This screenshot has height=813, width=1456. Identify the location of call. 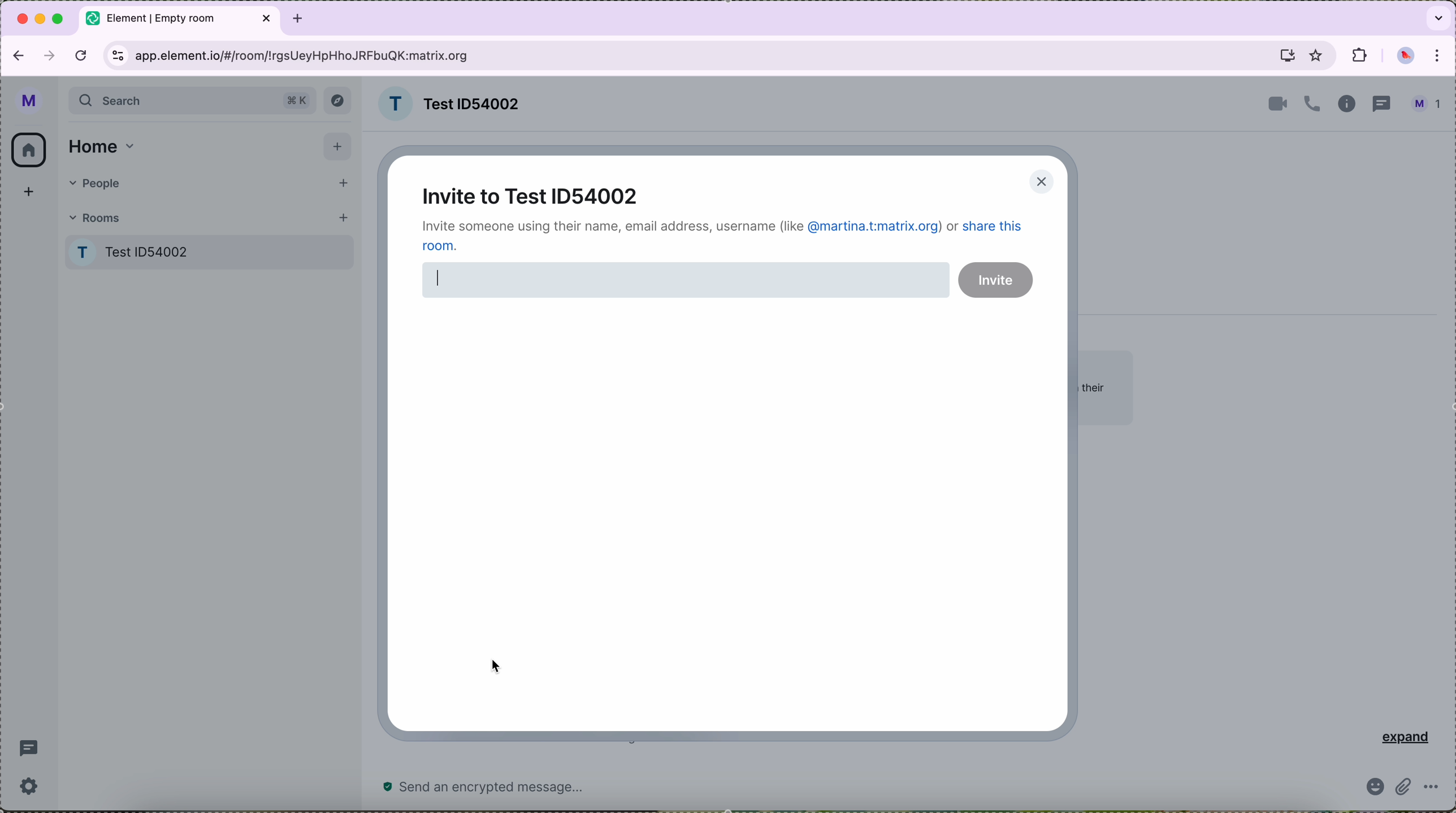
(1312, 105).